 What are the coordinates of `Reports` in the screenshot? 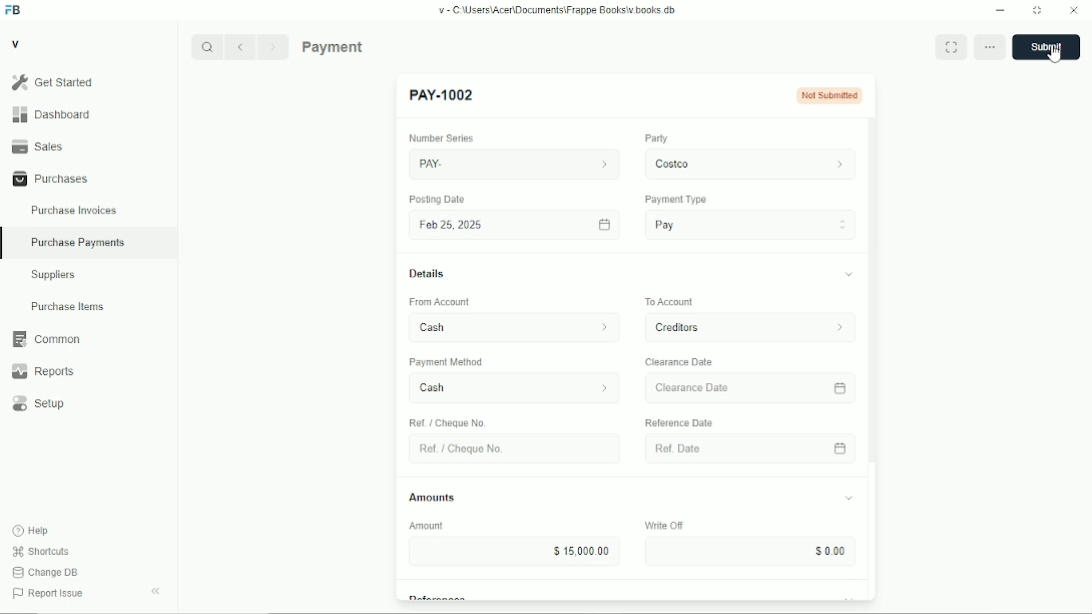 It's located at (89, 371).